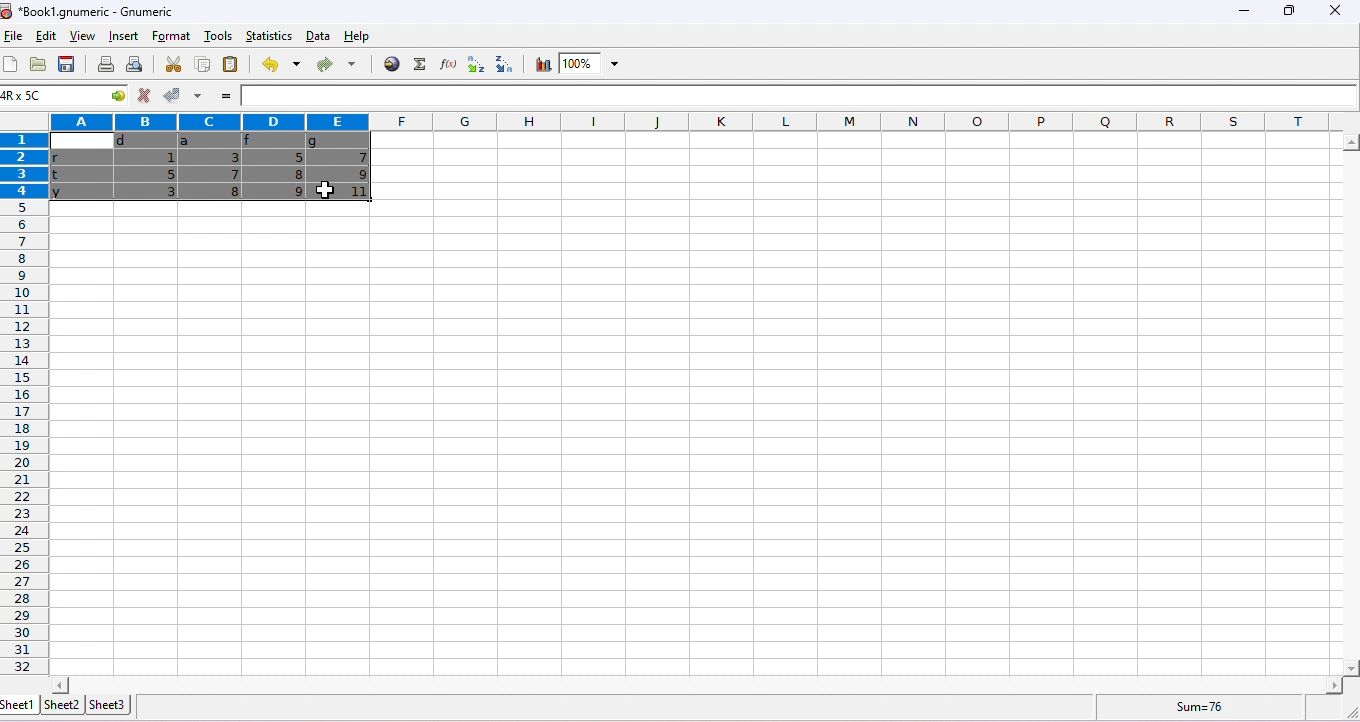 Image resolution: width=1360 pixels, height=722 pixels. I want to click on insert hyperlink, so click(392, 63).